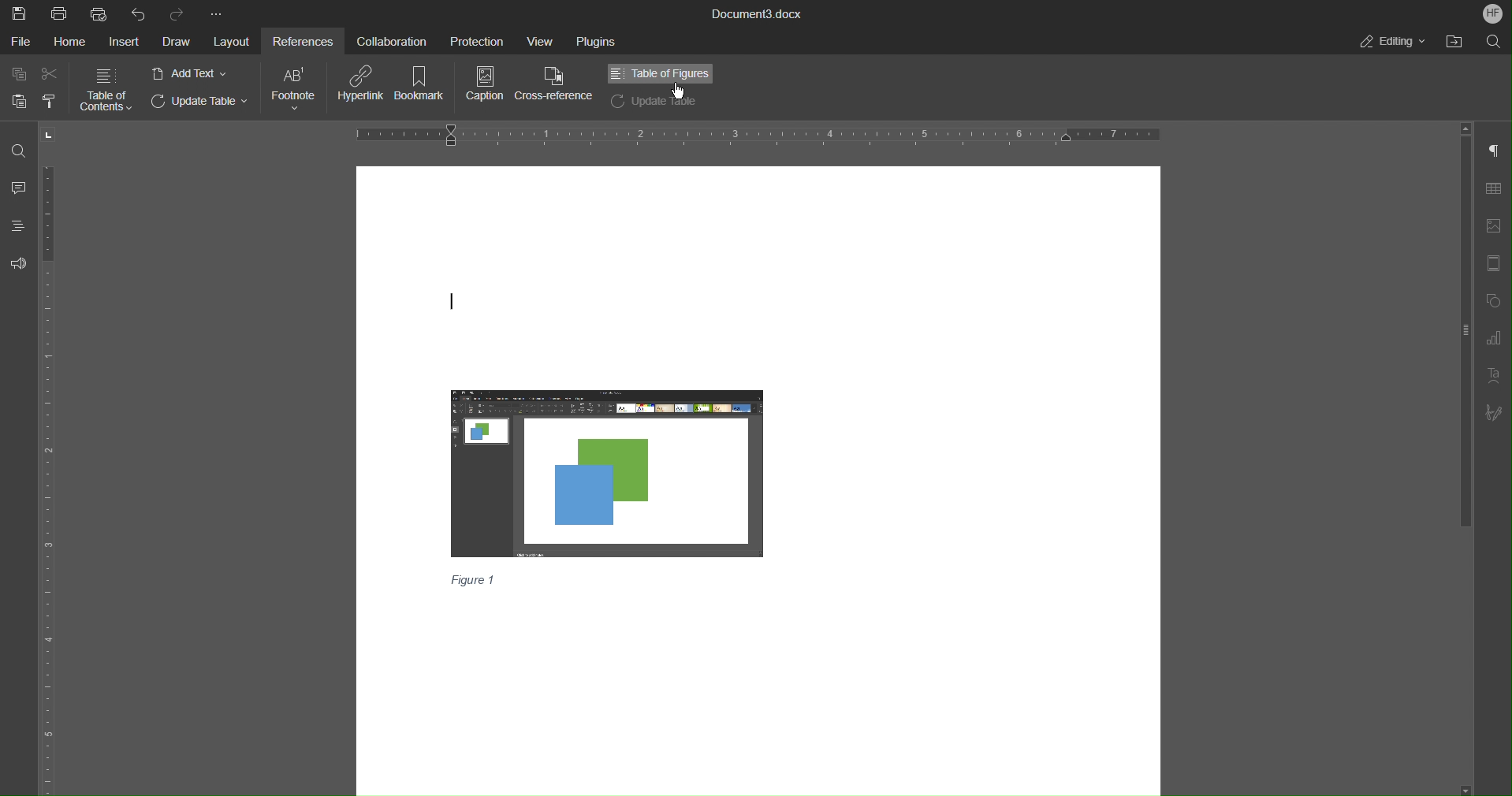 This screenshot has height=796, width=1512. What do you see at coordinates (1492, 13) in the screenshot?
I see `Account` at bounding box center [1492, 13].